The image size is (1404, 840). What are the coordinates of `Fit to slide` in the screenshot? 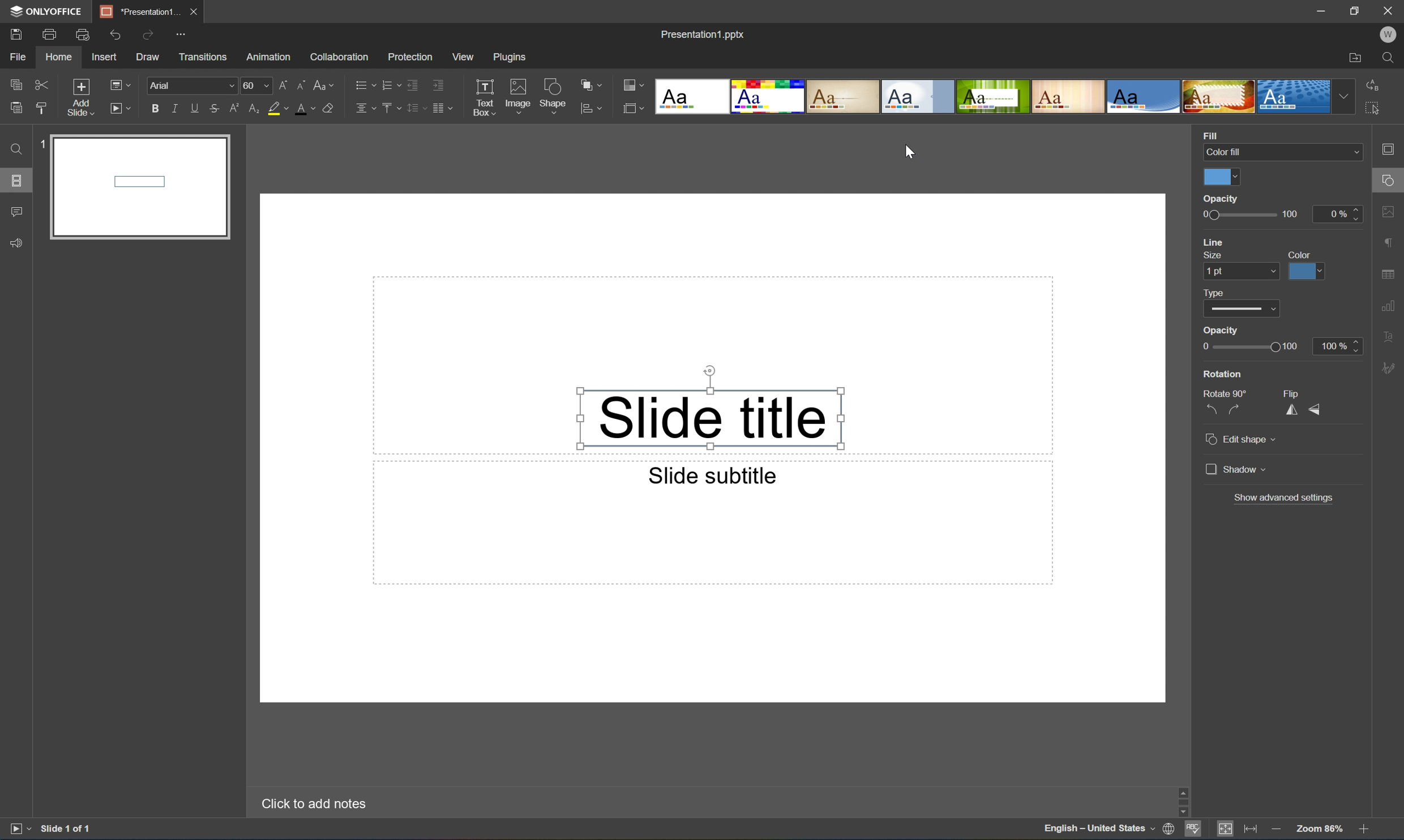 It's located at (1228, 832).